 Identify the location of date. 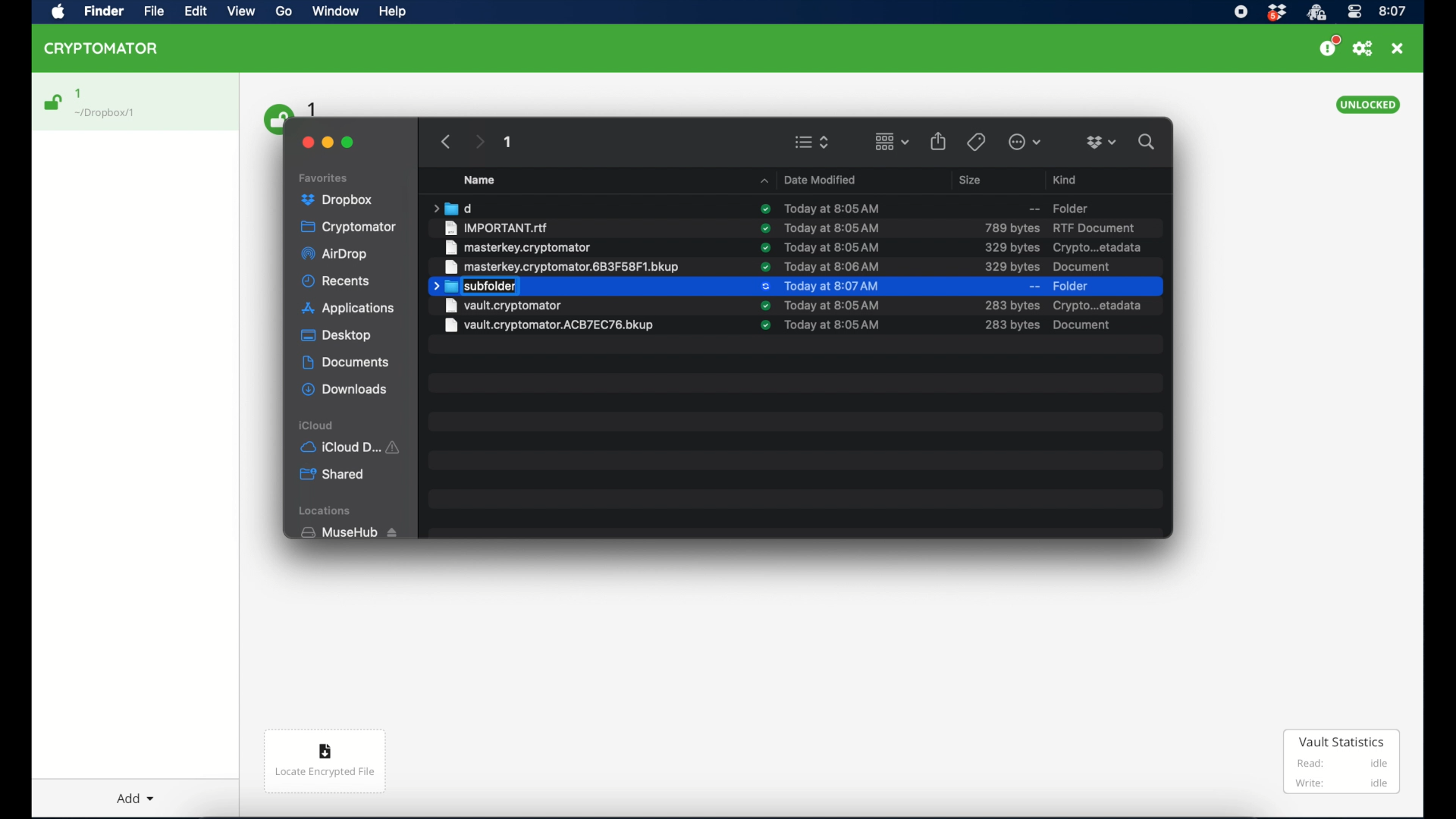
(838, 266).